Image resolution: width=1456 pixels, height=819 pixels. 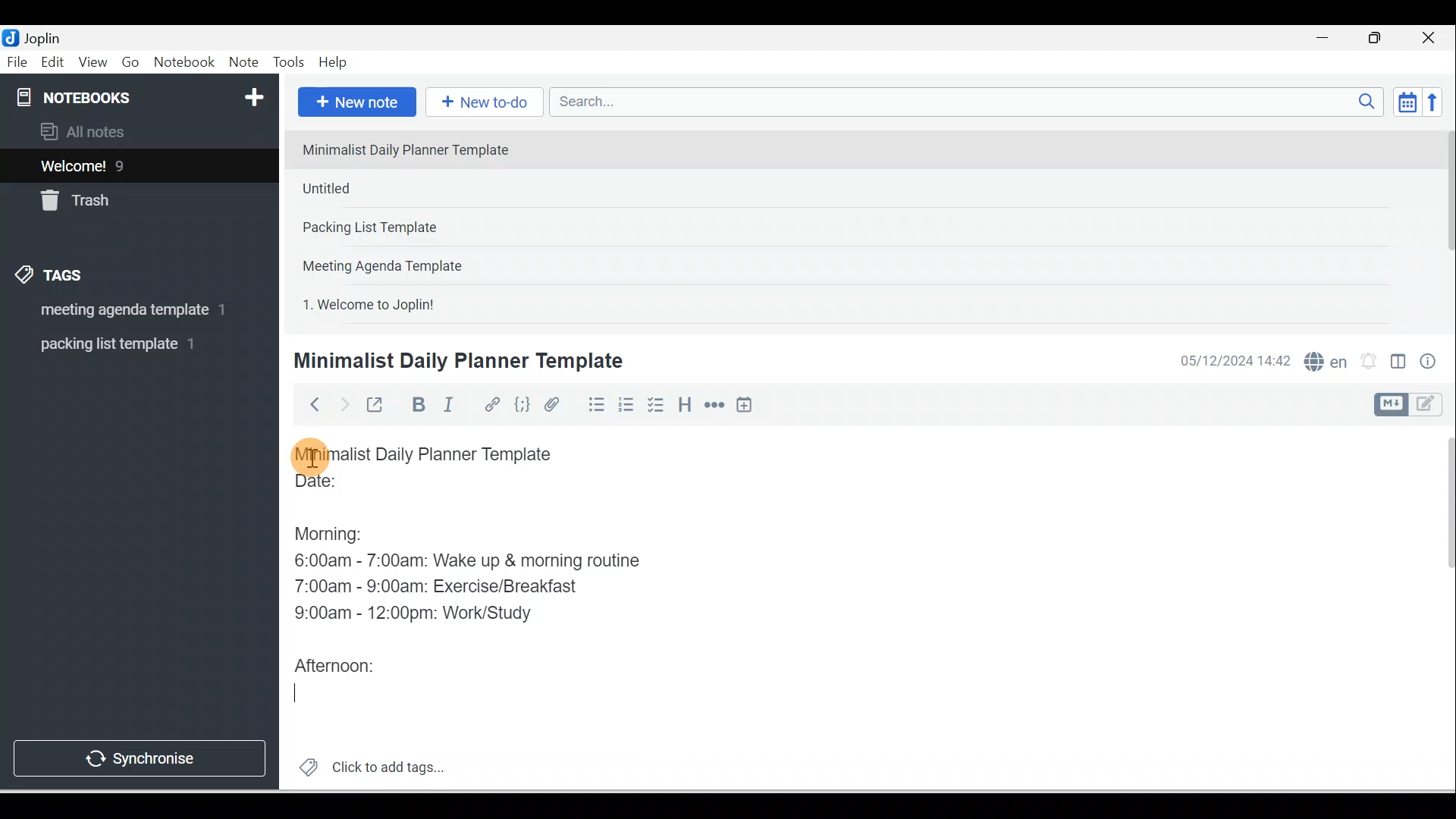 What do you see at coordinates (54, 63) in the screenshot?
I see `Edit` at bounding box center [54, 63].